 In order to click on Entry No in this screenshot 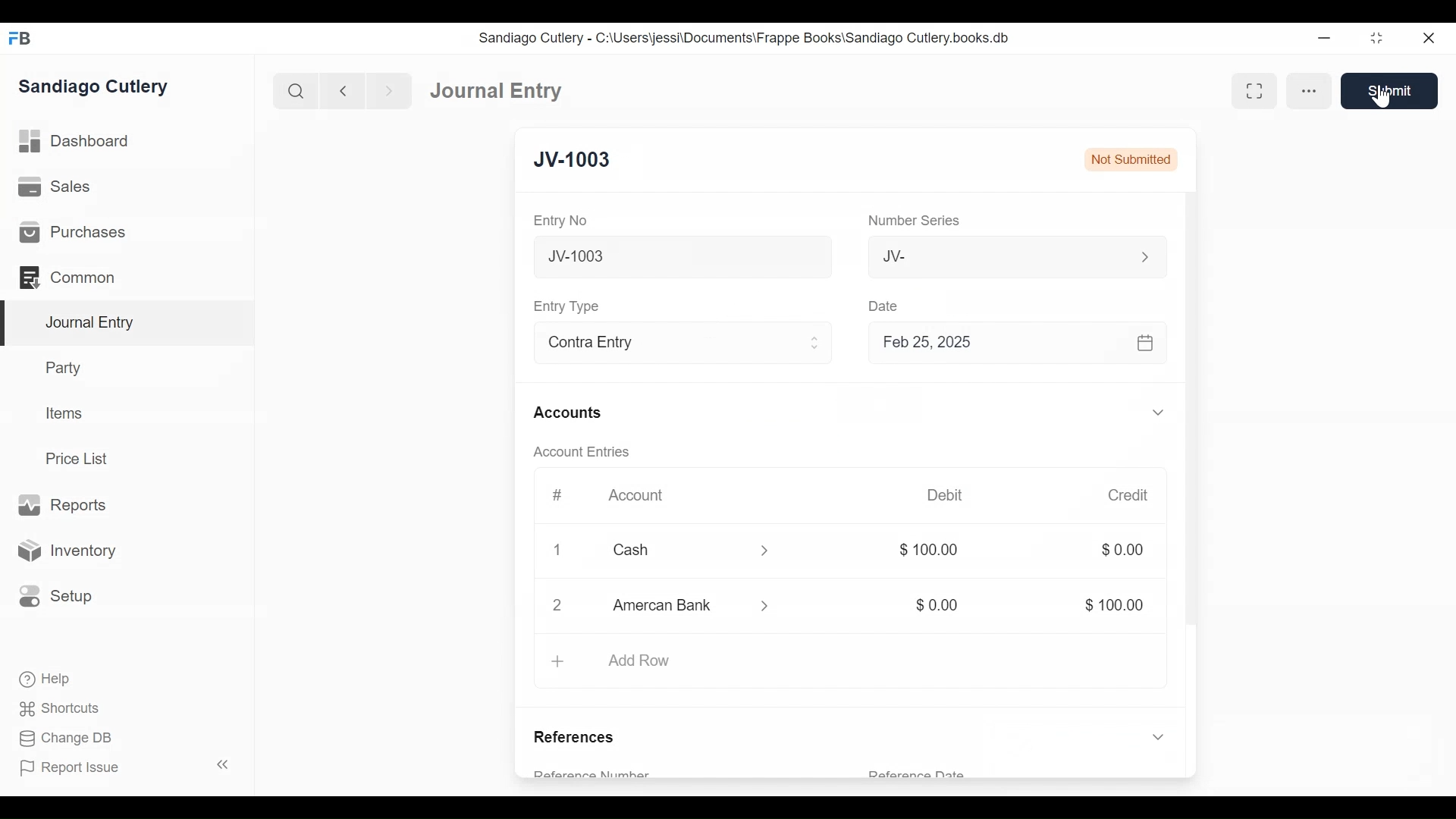, I will do `click(565, 220)`.